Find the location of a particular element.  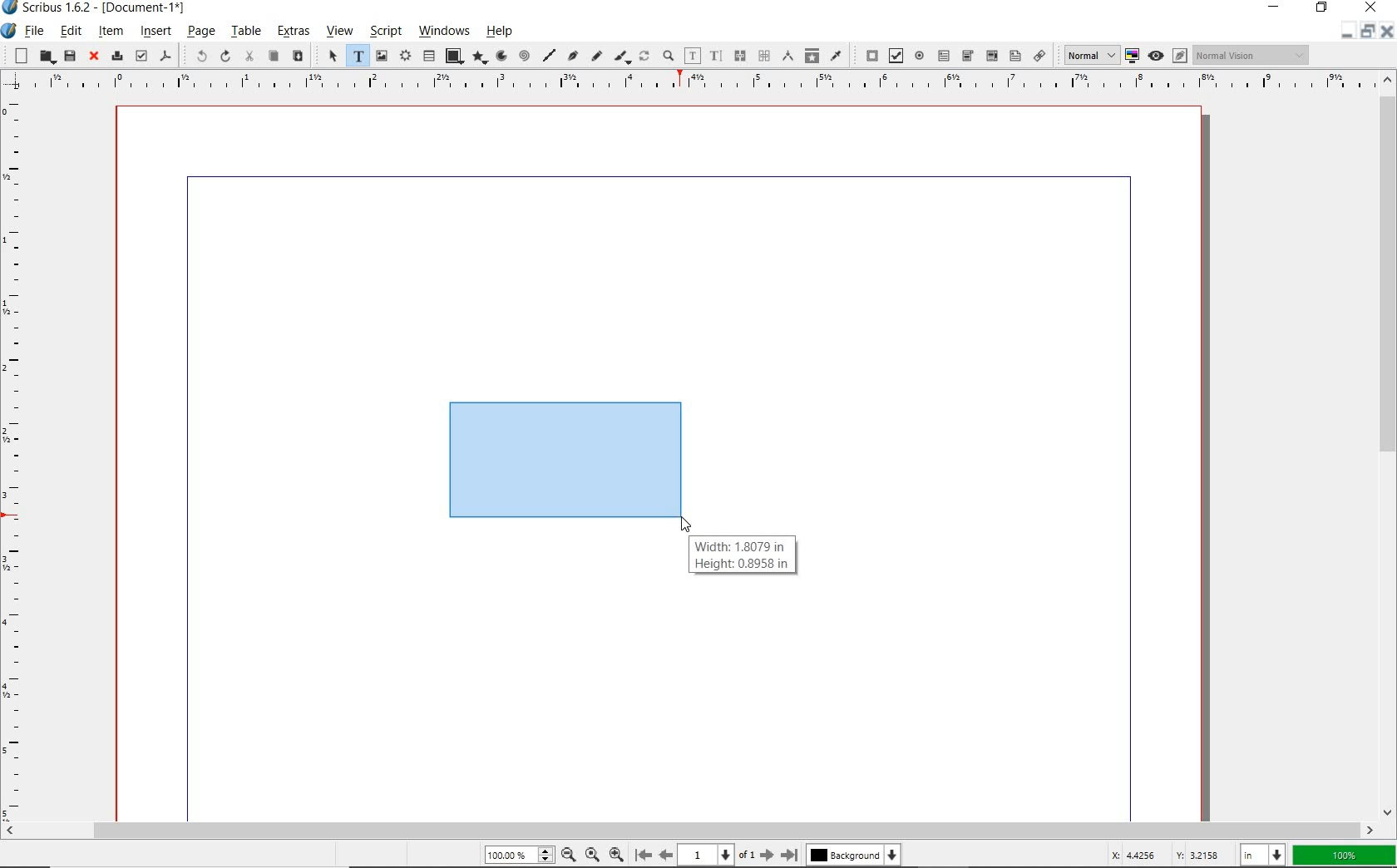

Edit in preview mode is located at coordinates (1181, 55).